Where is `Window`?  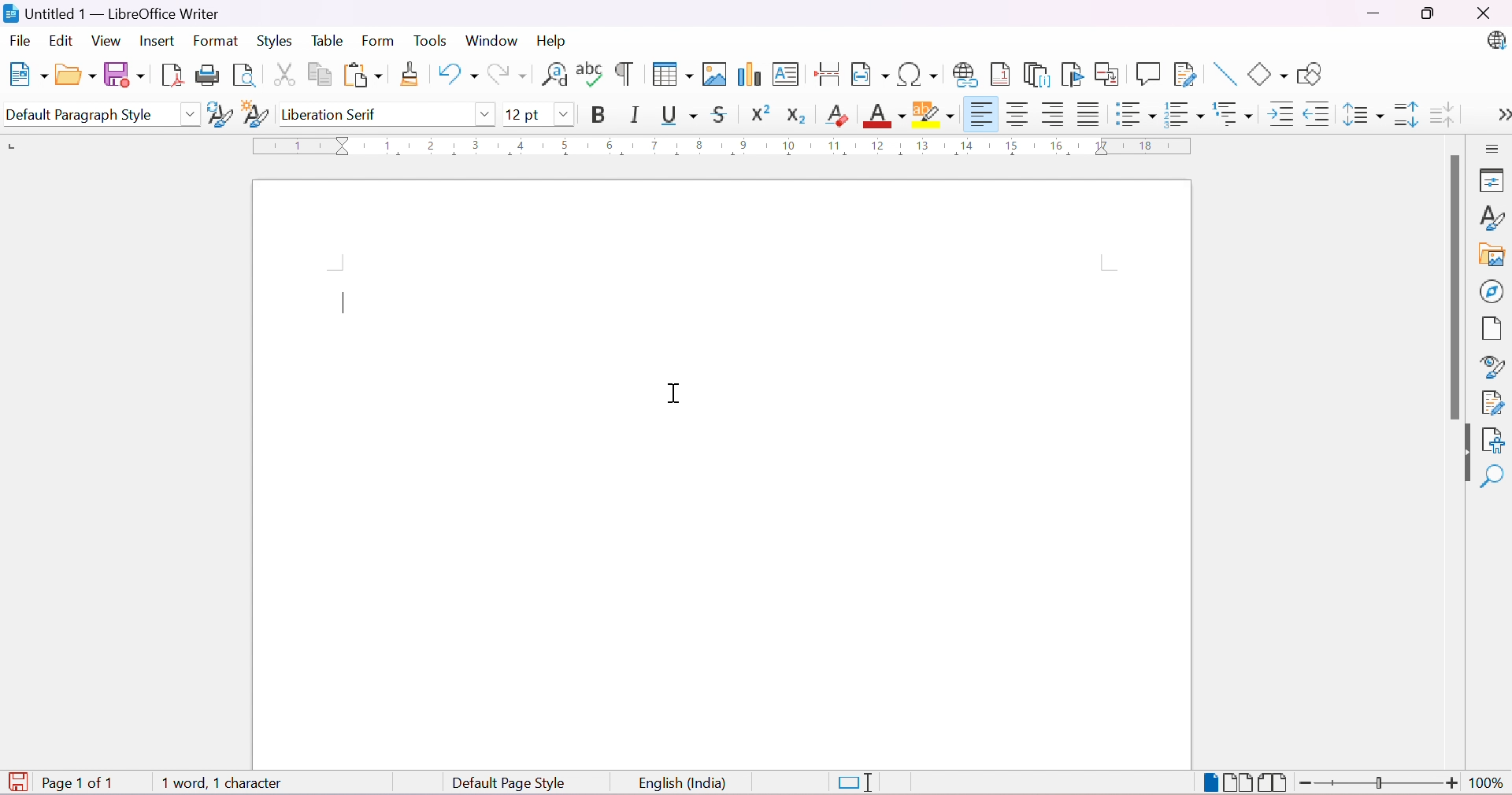 Window is located at coordinates (491, 40).